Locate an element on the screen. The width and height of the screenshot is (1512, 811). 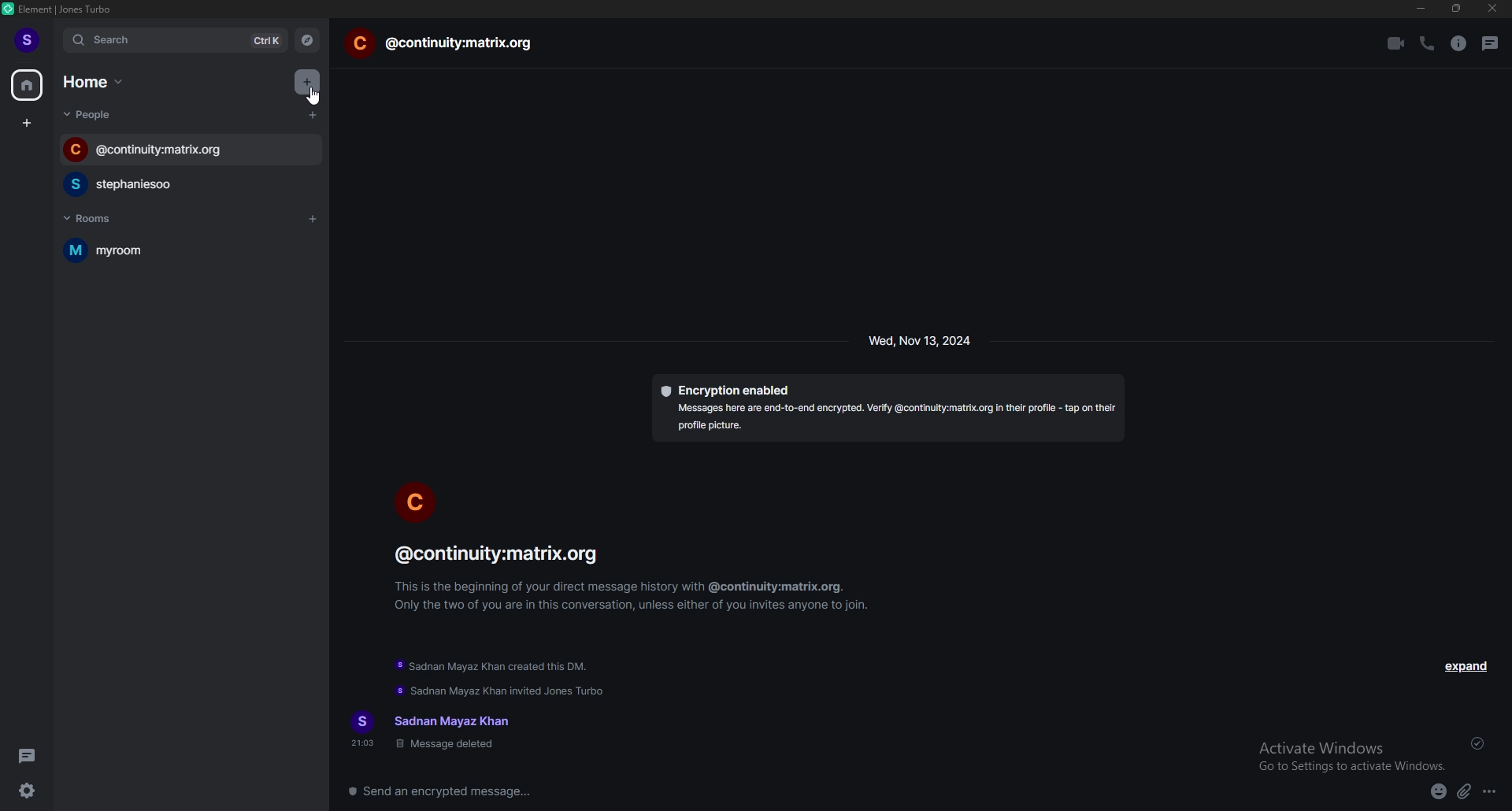
resize is located at coordinates (1458, 9).